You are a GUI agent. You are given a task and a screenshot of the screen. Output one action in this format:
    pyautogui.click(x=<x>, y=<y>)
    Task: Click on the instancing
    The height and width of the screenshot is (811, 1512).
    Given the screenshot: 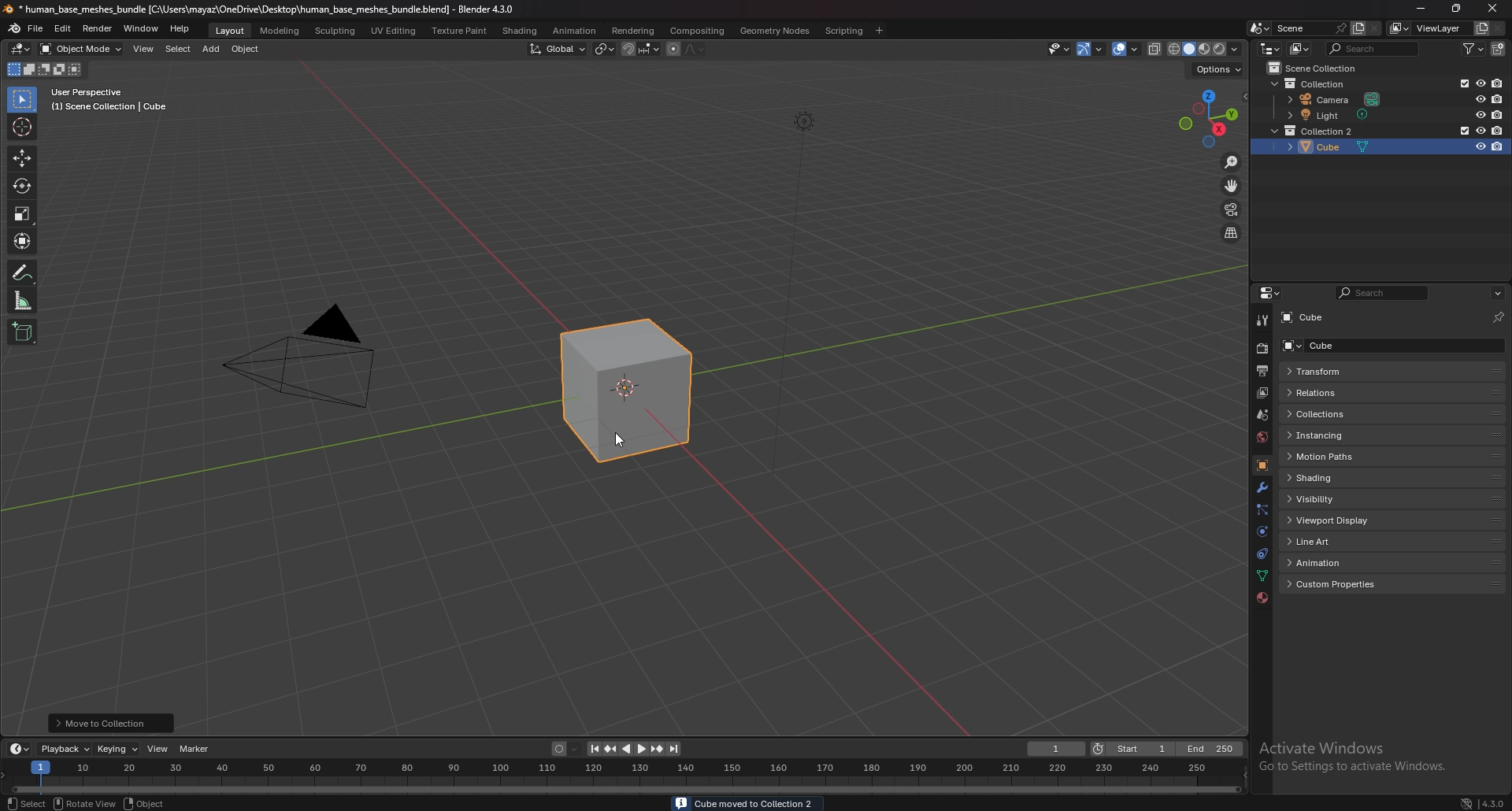 What is the action you would take?
    pyautogui.click(x=1338, y=435)
    